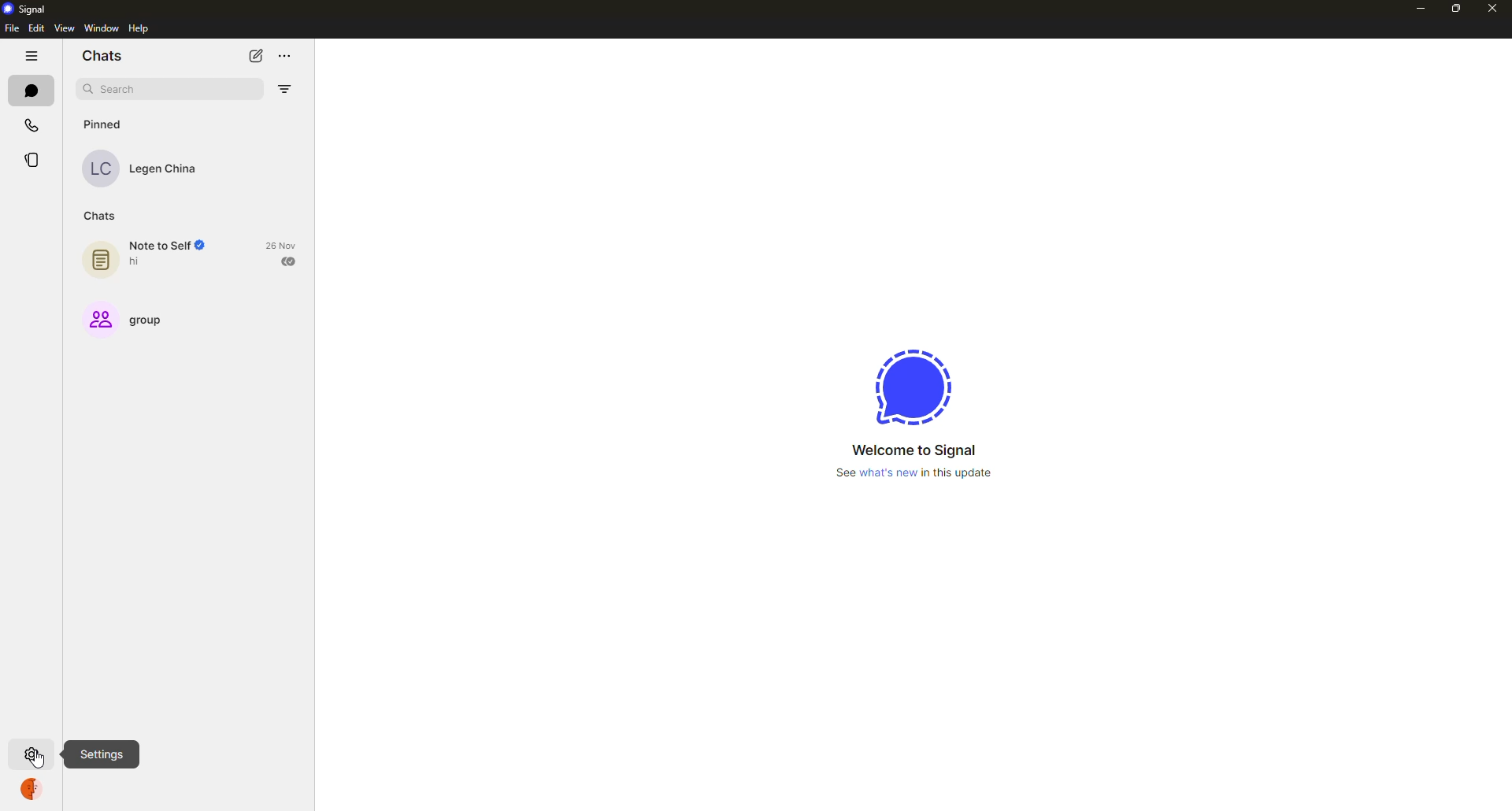 This screenshot has height=811, width=1512. What do you see at coordinates (101, 29) in the screenshot?
I see `window` at bounding box center [101, 29].